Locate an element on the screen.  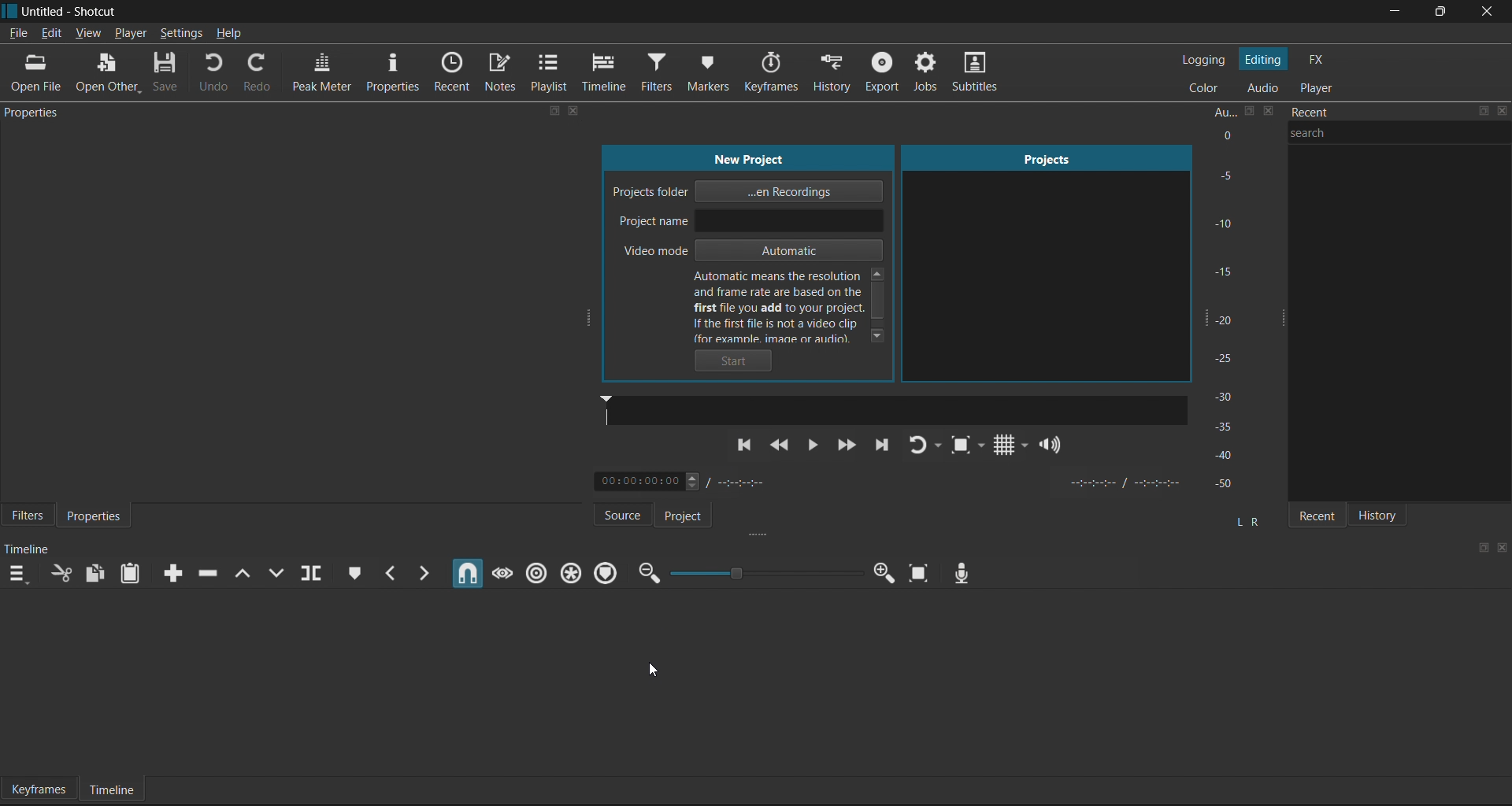
Ripple is located at coordinates (535, 572).